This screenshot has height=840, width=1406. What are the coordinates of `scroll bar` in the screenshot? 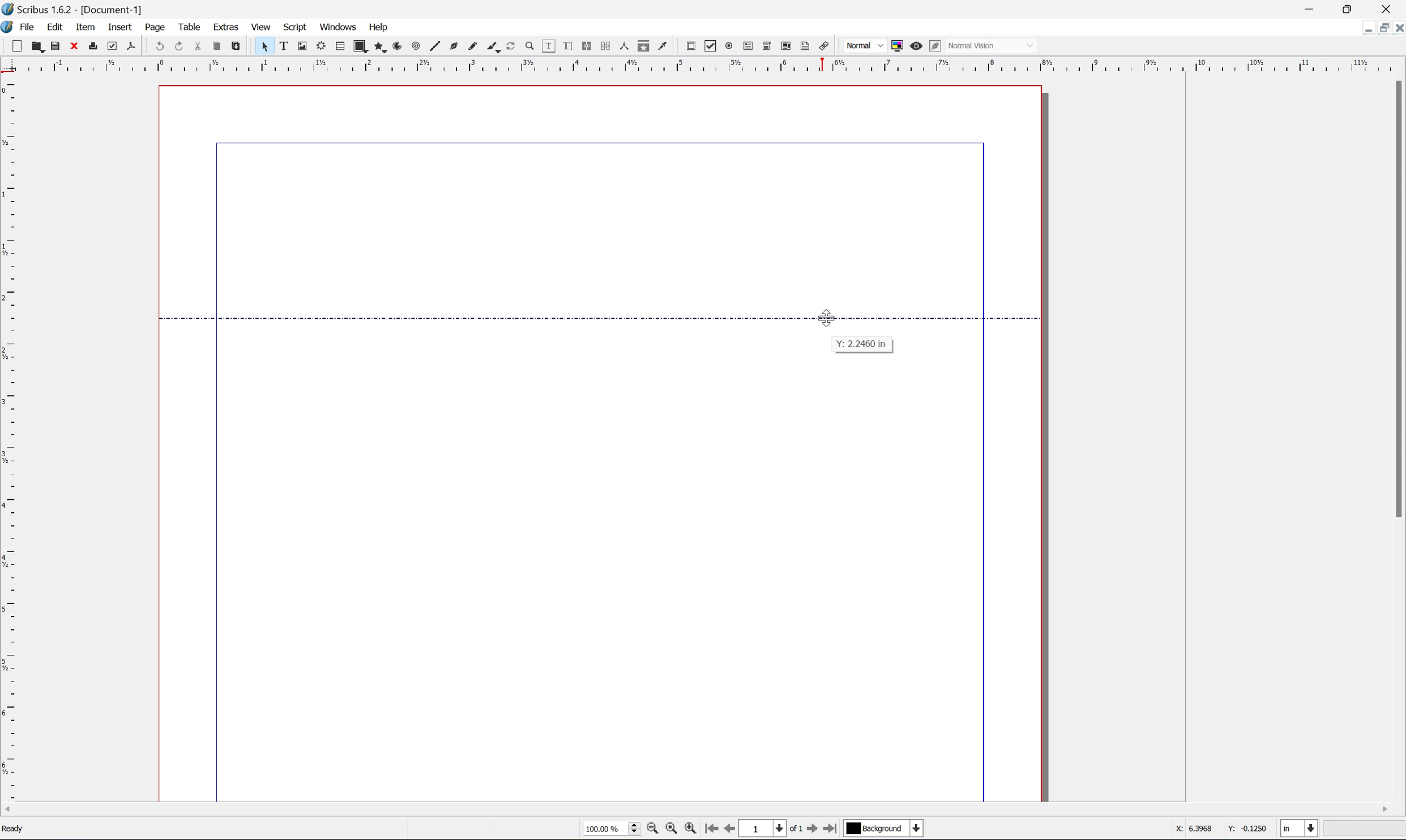 It's located at (1397, 298).